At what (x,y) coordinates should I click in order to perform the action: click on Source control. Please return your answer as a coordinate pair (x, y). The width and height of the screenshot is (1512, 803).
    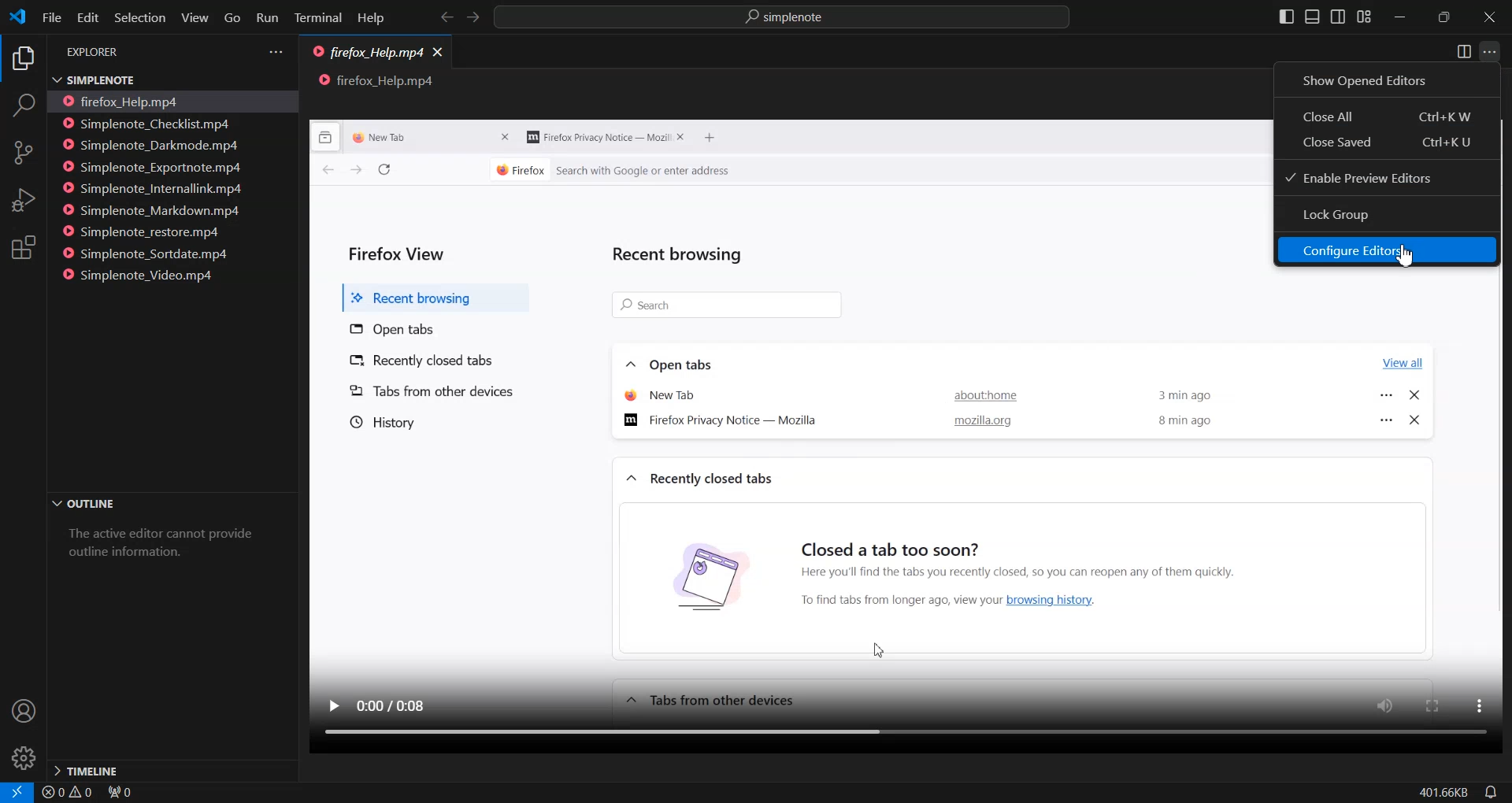
    Looking at the image, I should click on (23, 153).